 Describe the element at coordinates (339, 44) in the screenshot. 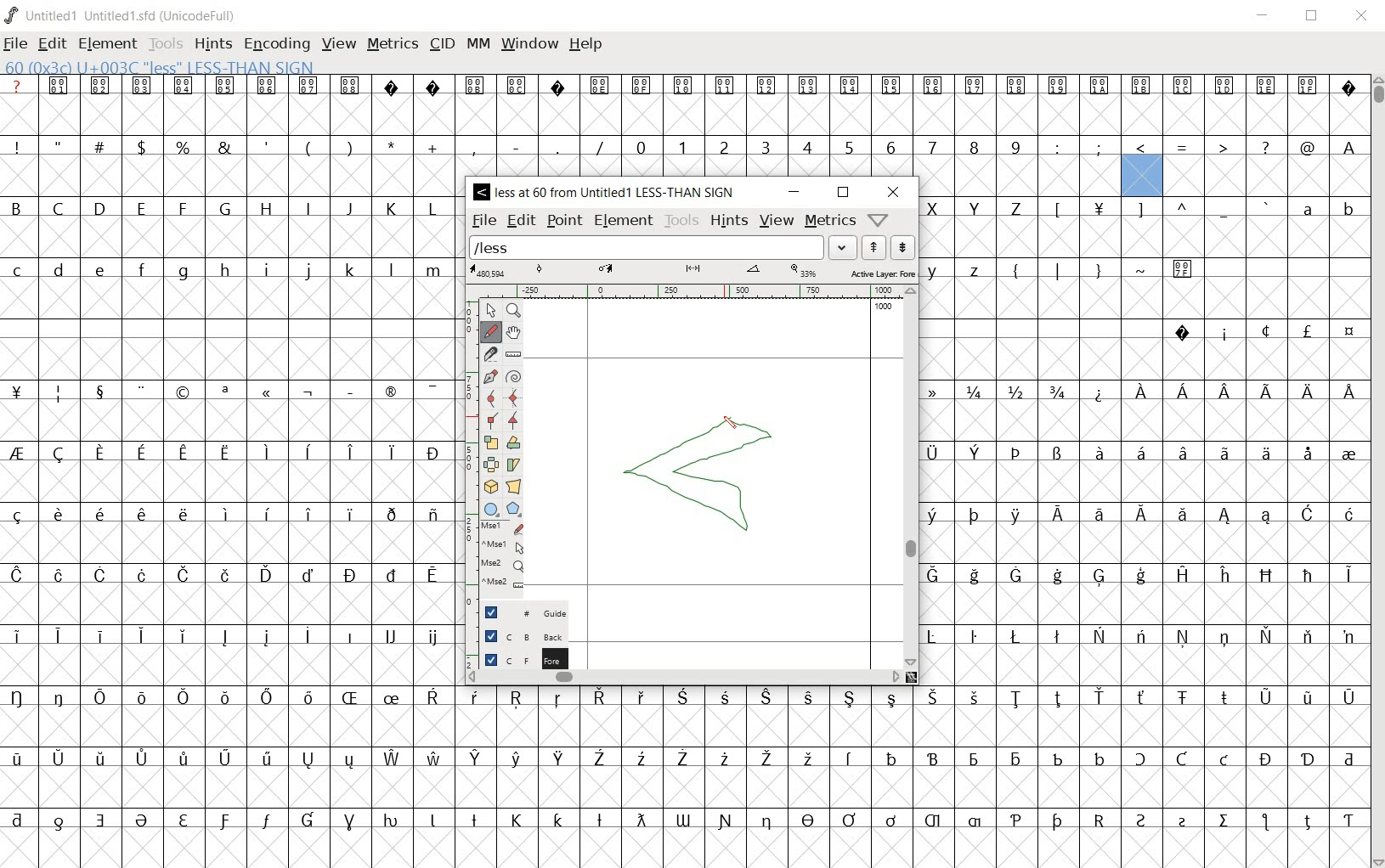

I see `view` at that location.